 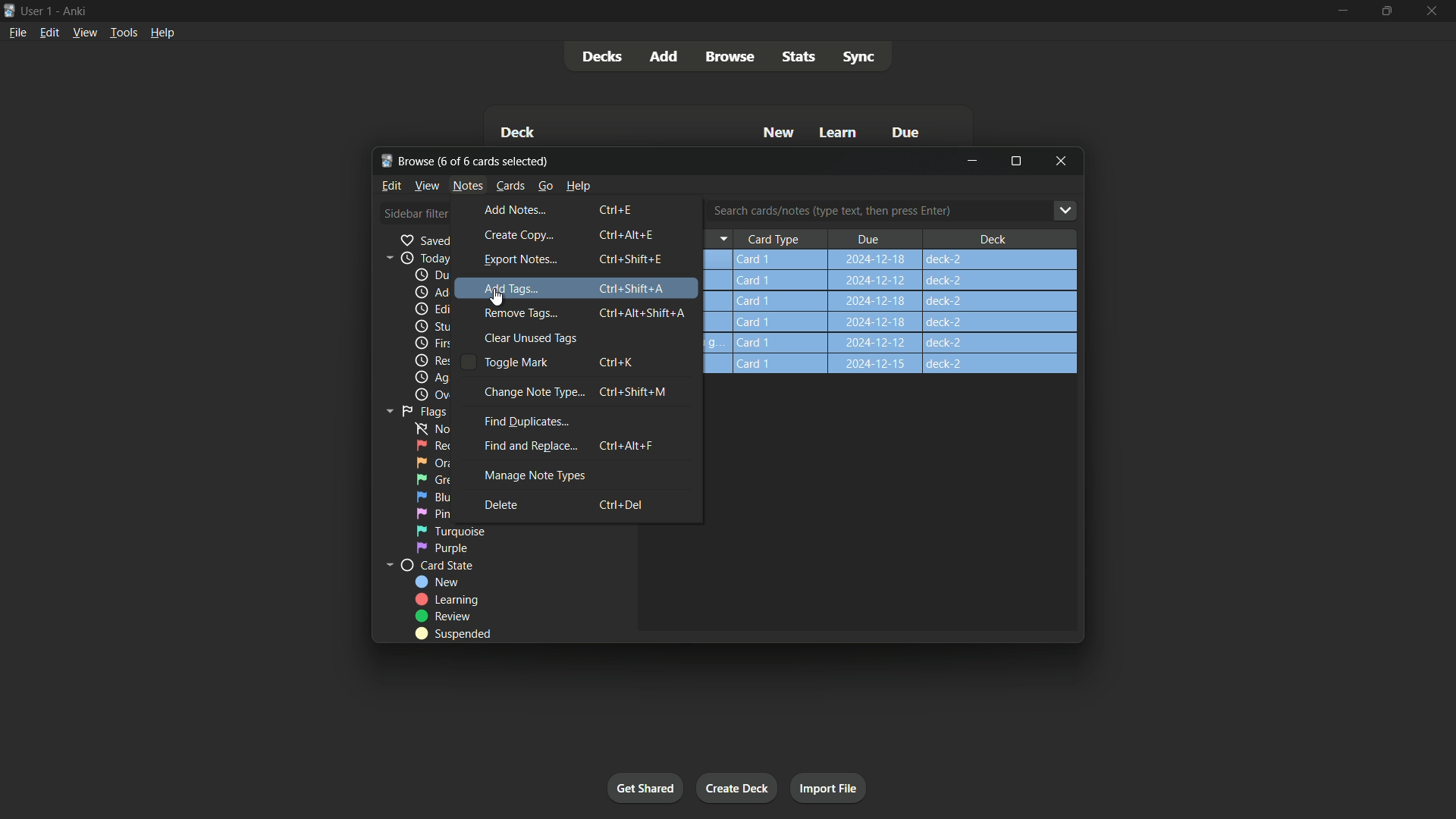 What do you see at coordinates (637, 312) in the screenshot?
I see `Ctrl + Alt + Shift + A` at bounding box center [637, 312].